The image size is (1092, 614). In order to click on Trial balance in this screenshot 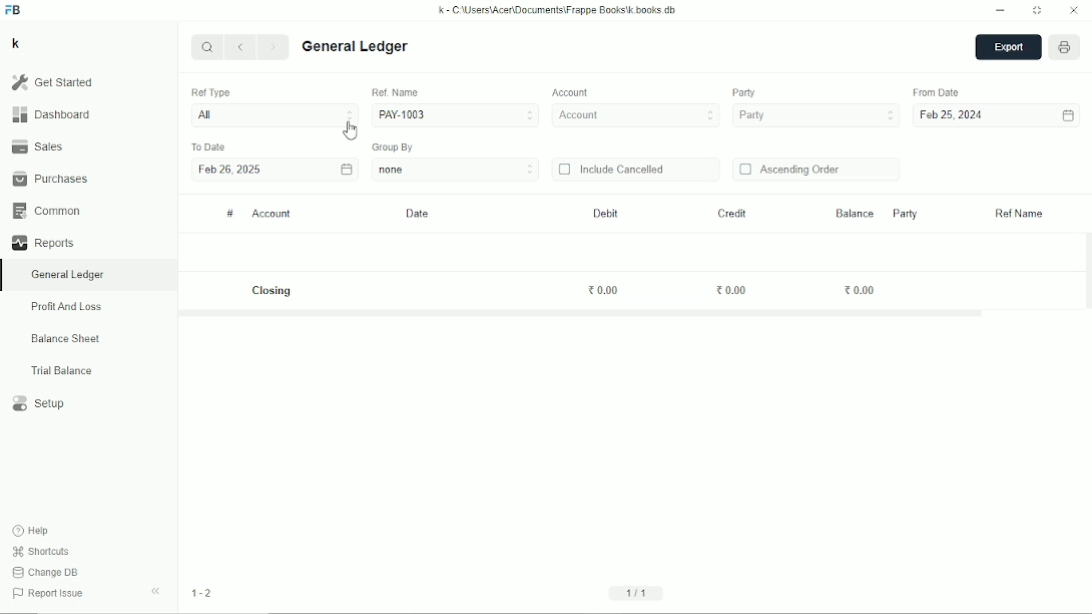, I will do `click(62, 371)`.